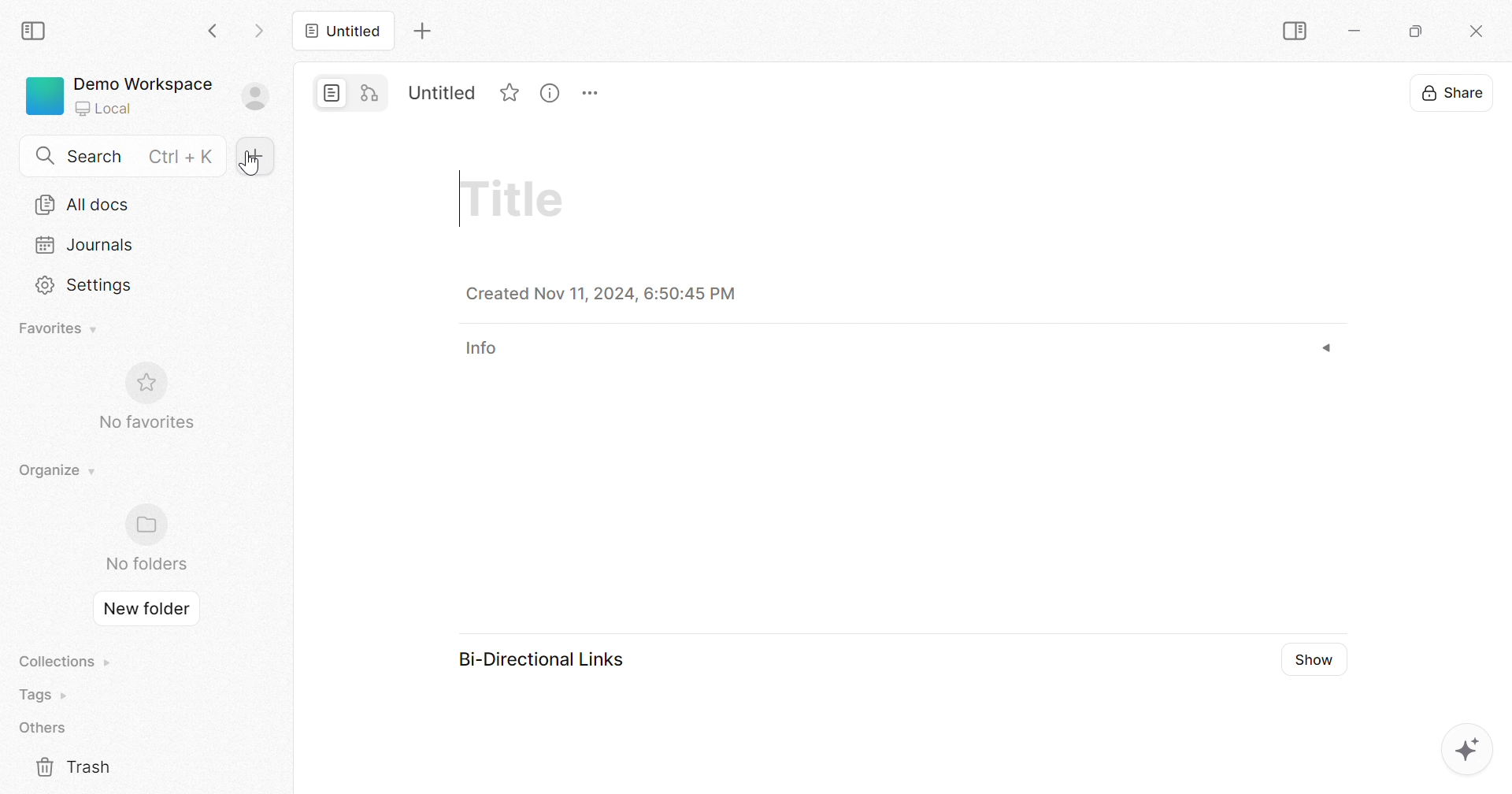  What do you see at coordinates (143, 384) in the screenshot?
I see `Favorites icon` at bounding box center [143, 384].